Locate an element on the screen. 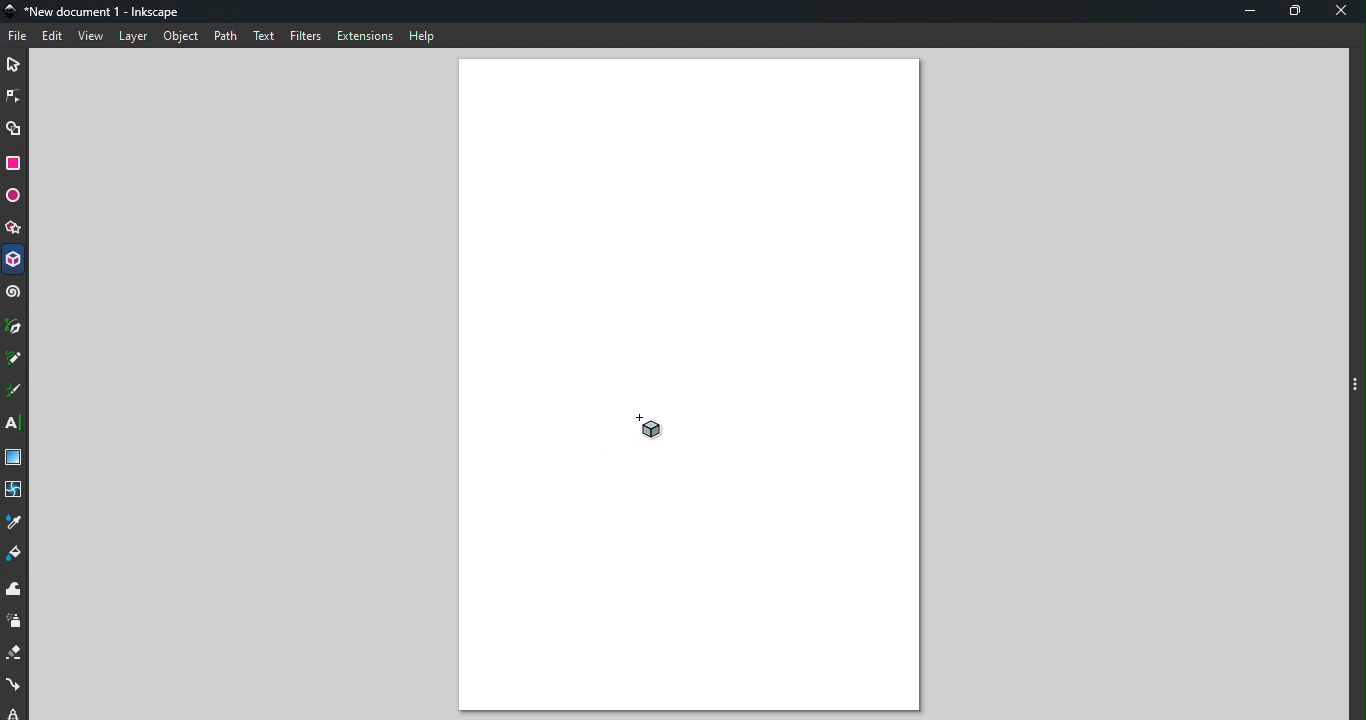 Image resolution: width=1366 pixels, height=720 pixels. Help is located at coordinates (423, 36).